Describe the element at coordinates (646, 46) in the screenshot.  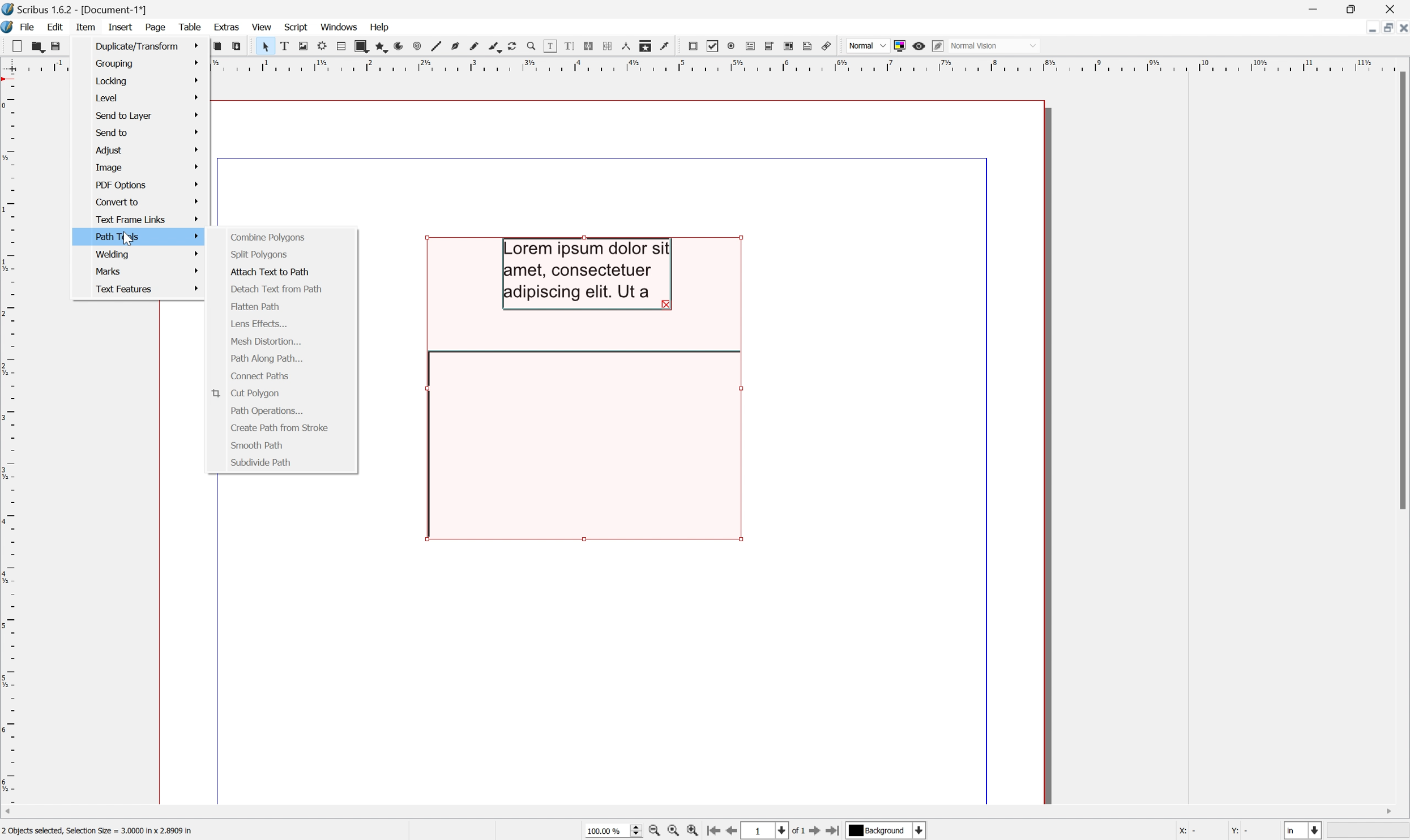
I see `Copy item properties` at that location.